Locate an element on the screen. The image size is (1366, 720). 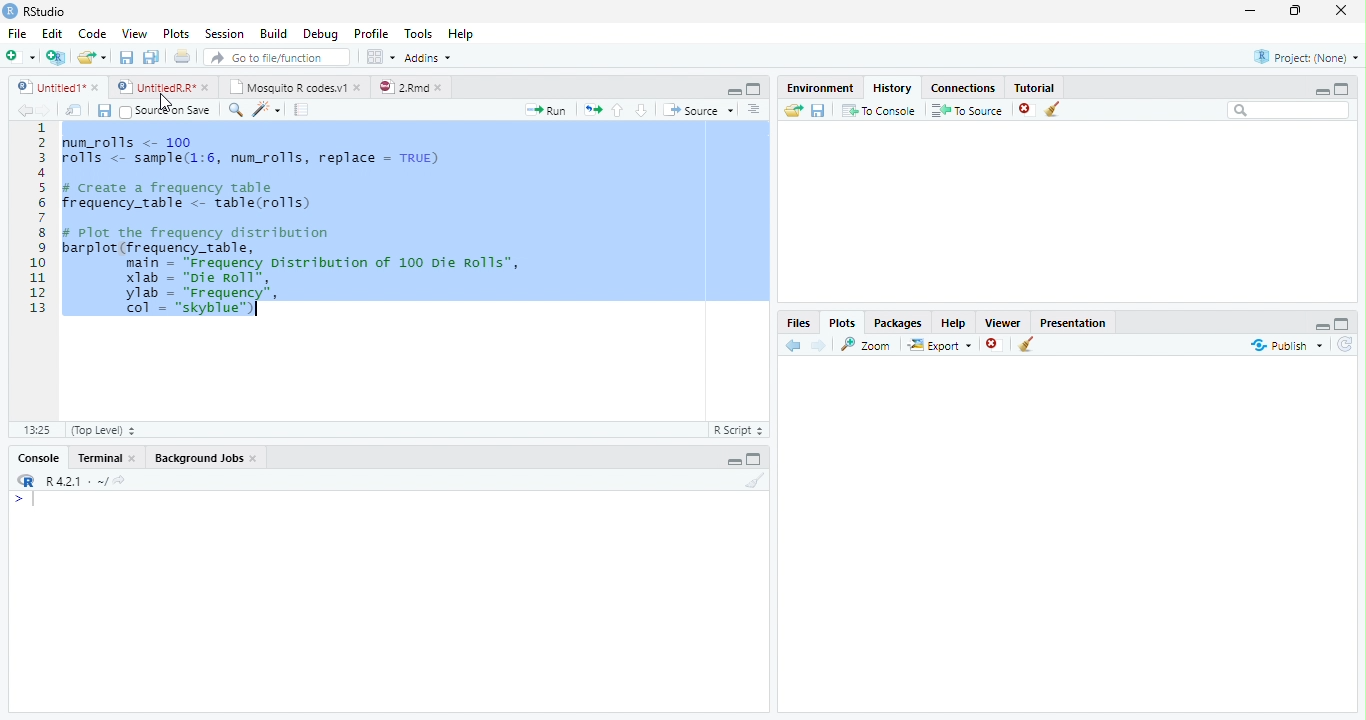
History is located at coordinates (893, 86).